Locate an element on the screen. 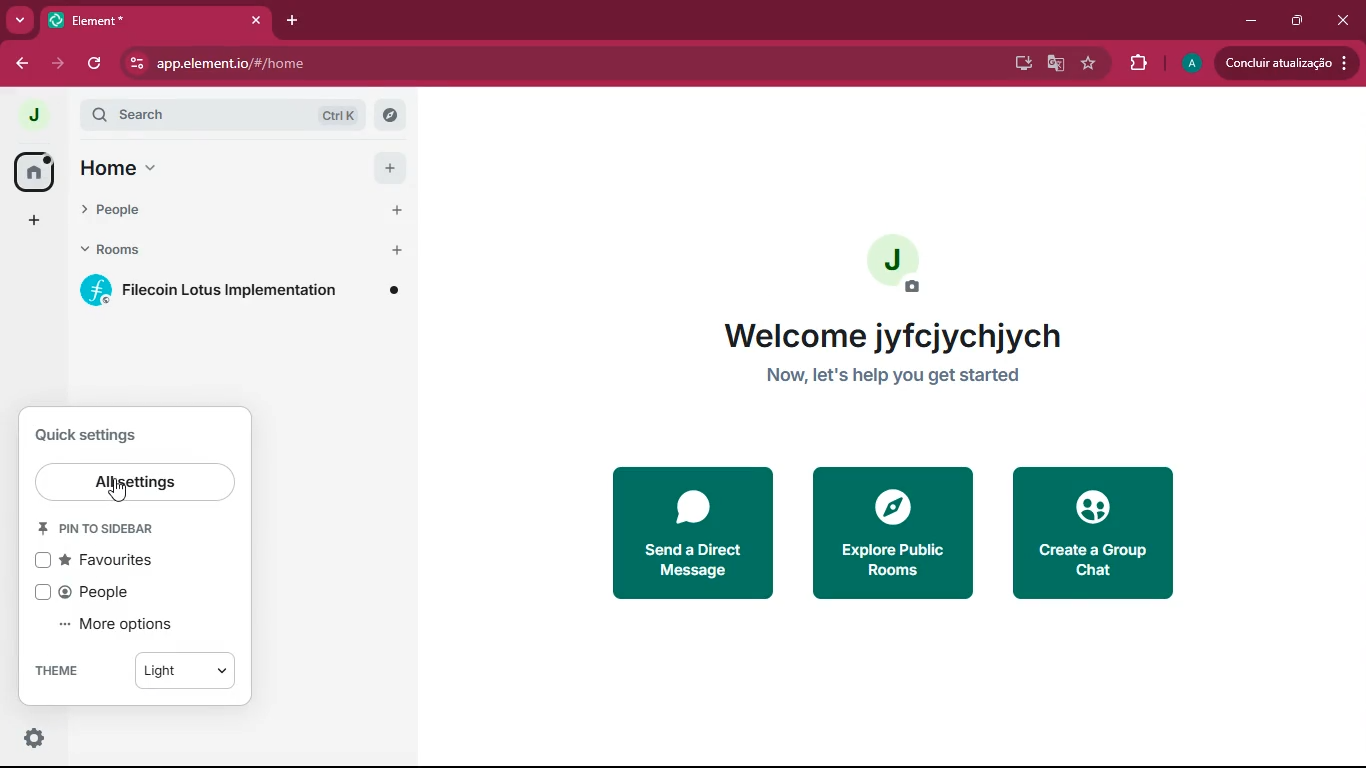  more is located at coordinates (20, 21).